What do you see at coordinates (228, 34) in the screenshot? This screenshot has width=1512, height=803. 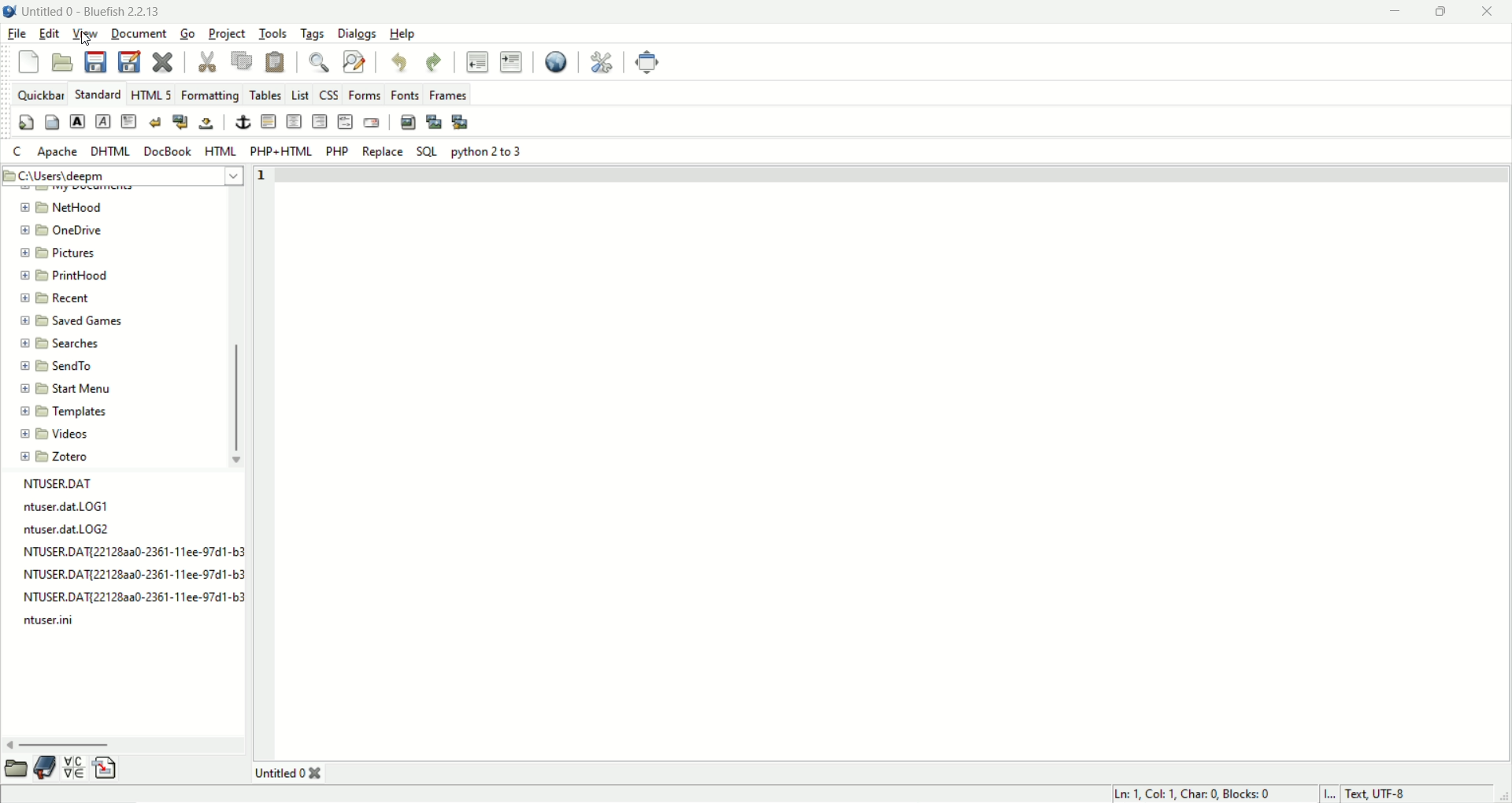 I see `project` at bounding box center [228, 34].